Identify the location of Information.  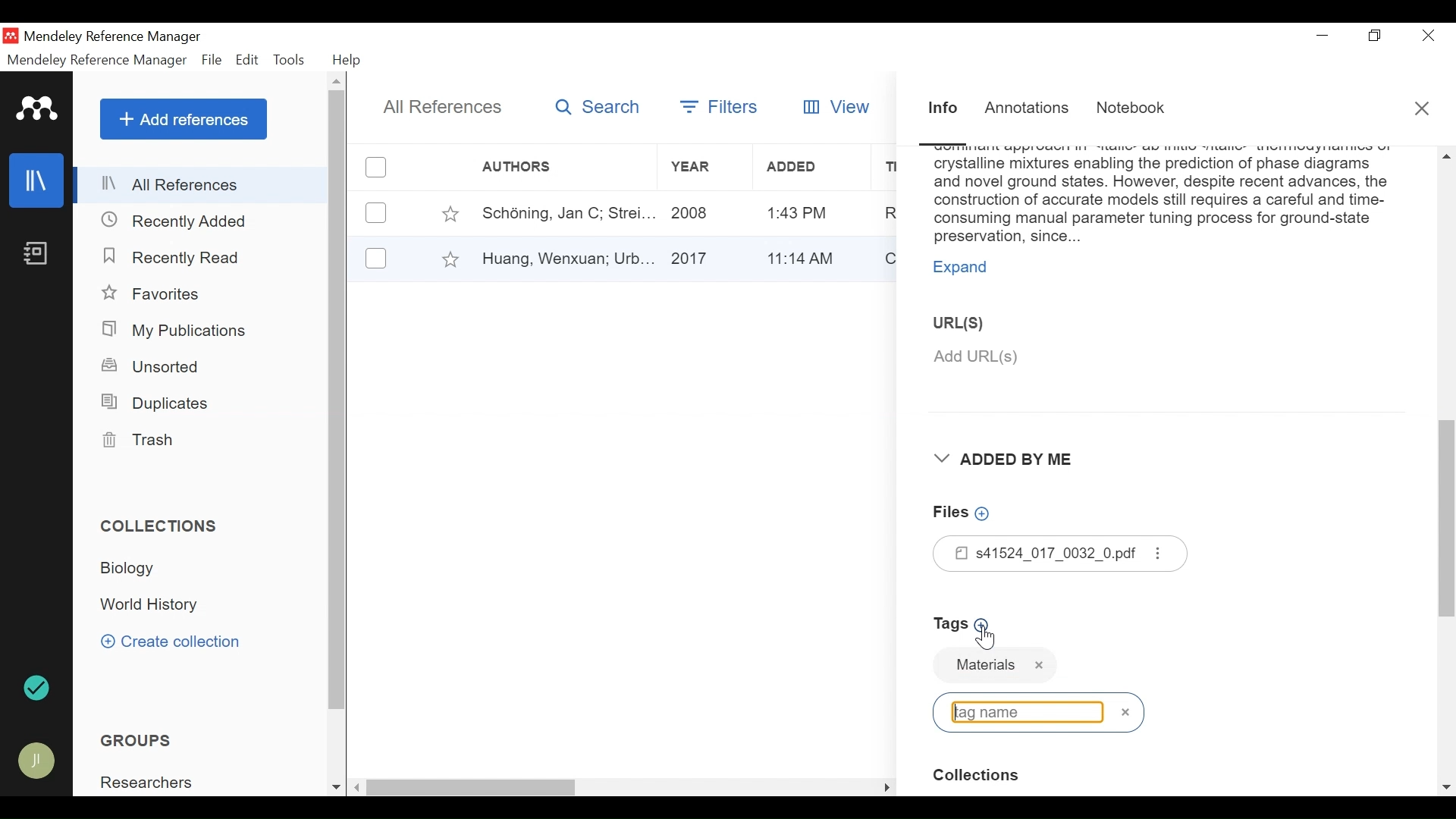
(944, 109).